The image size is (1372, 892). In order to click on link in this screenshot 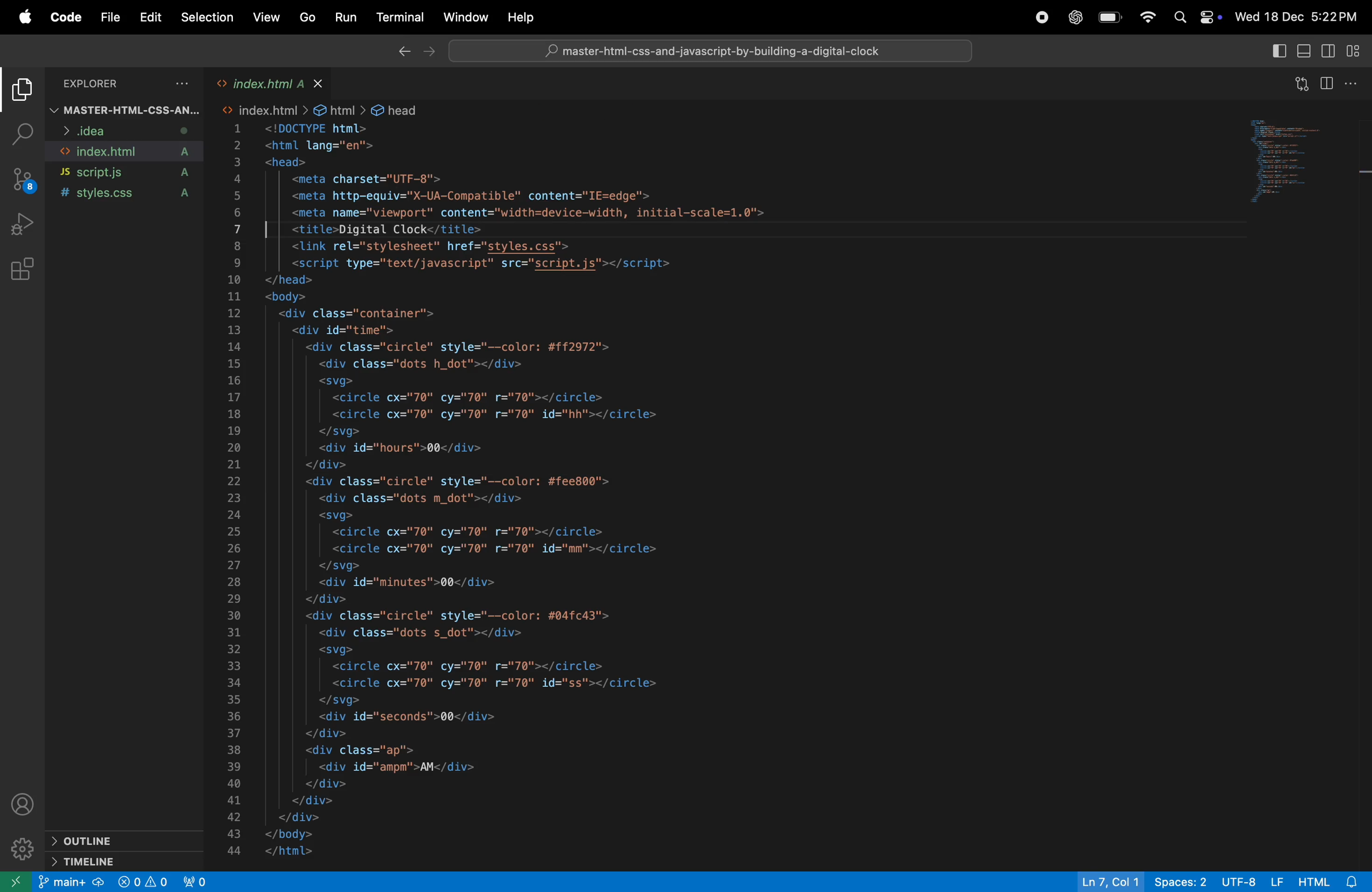, I will do `click(266, 108)`.